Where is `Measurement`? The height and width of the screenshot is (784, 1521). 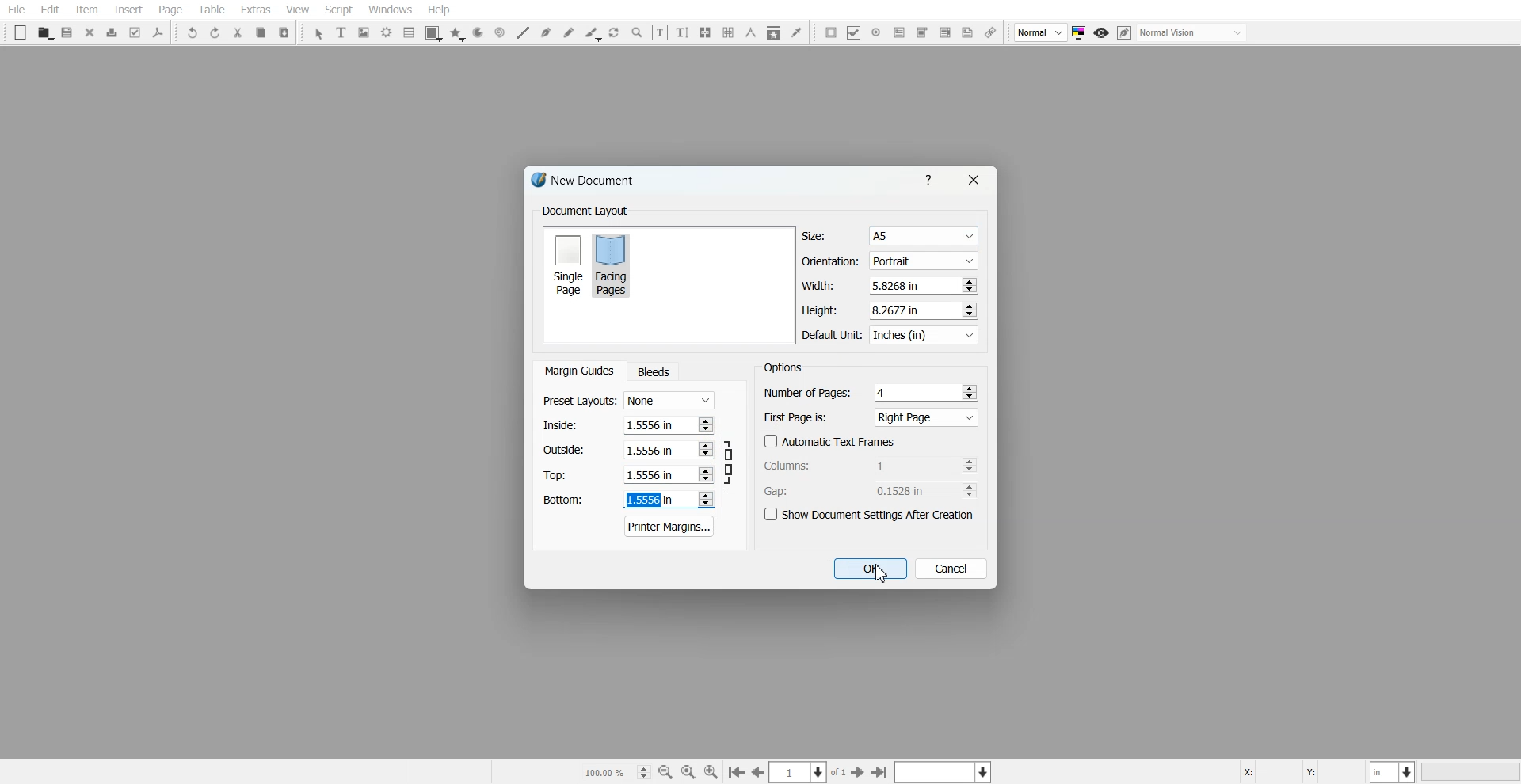 Measurement is located at coordinates (751, 32).